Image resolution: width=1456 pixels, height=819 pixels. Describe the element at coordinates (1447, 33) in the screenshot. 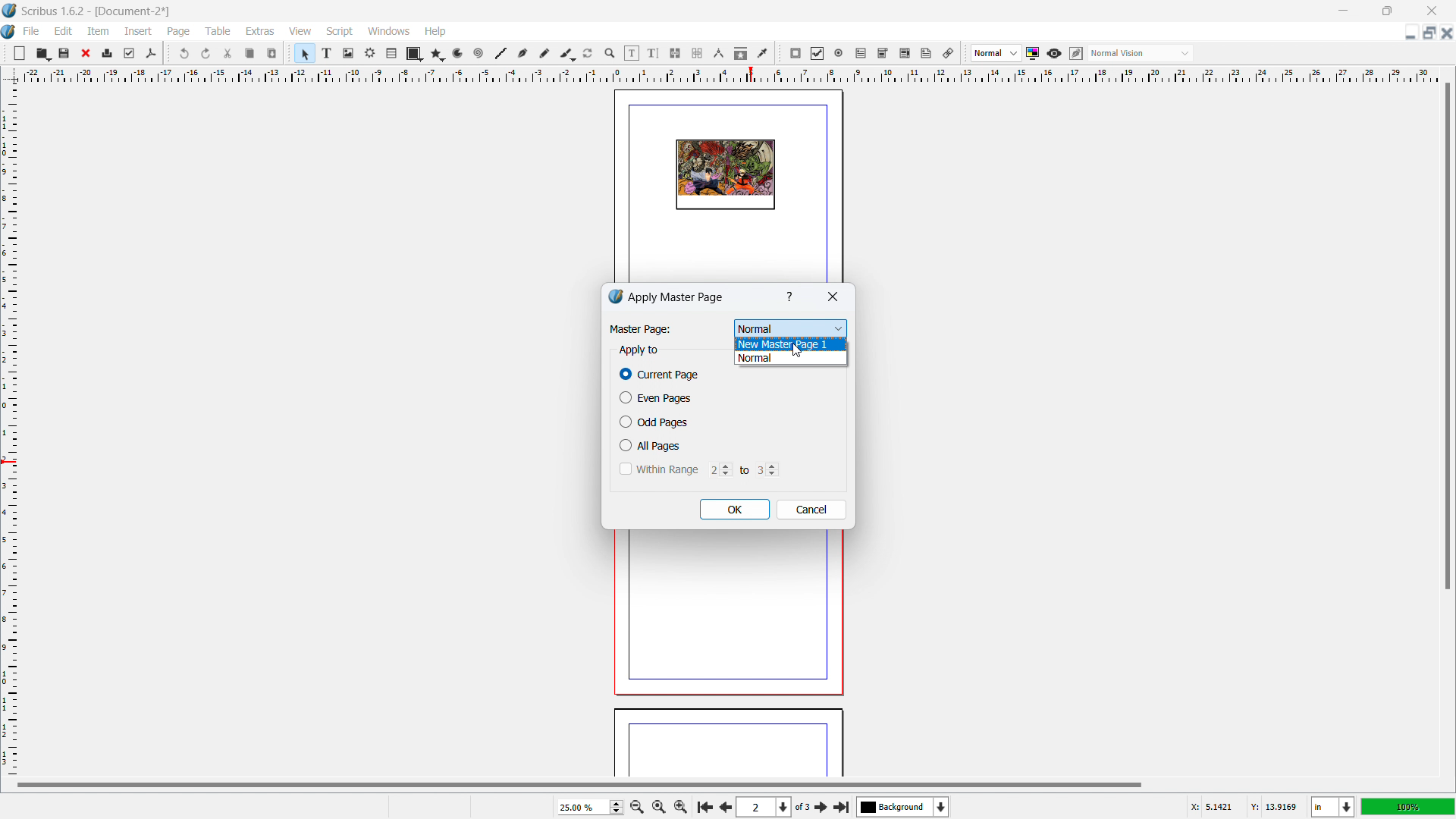

I see `close document` at that location.